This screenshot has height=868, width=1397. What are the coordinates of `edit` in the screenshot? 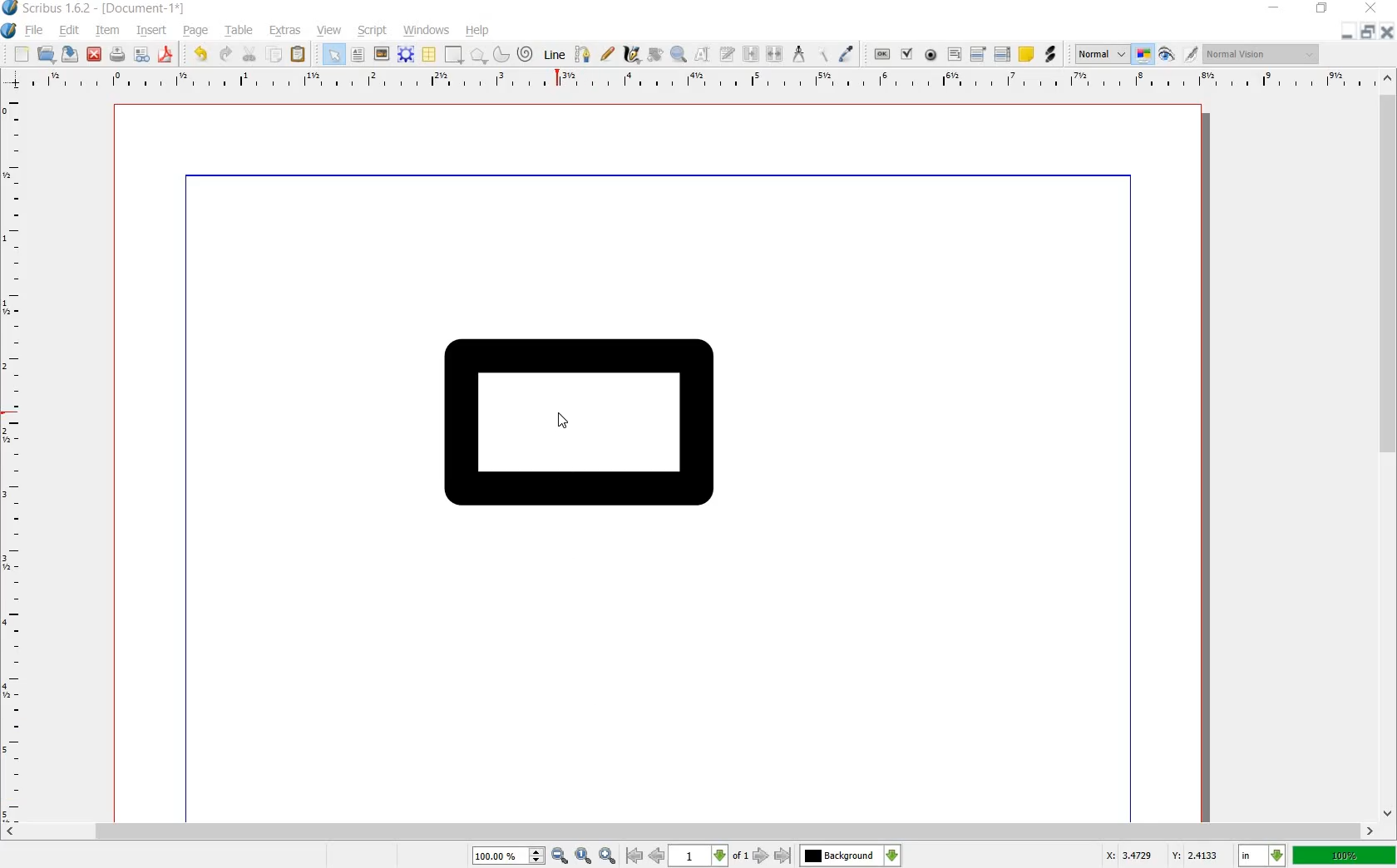 It's located at (68, 31).